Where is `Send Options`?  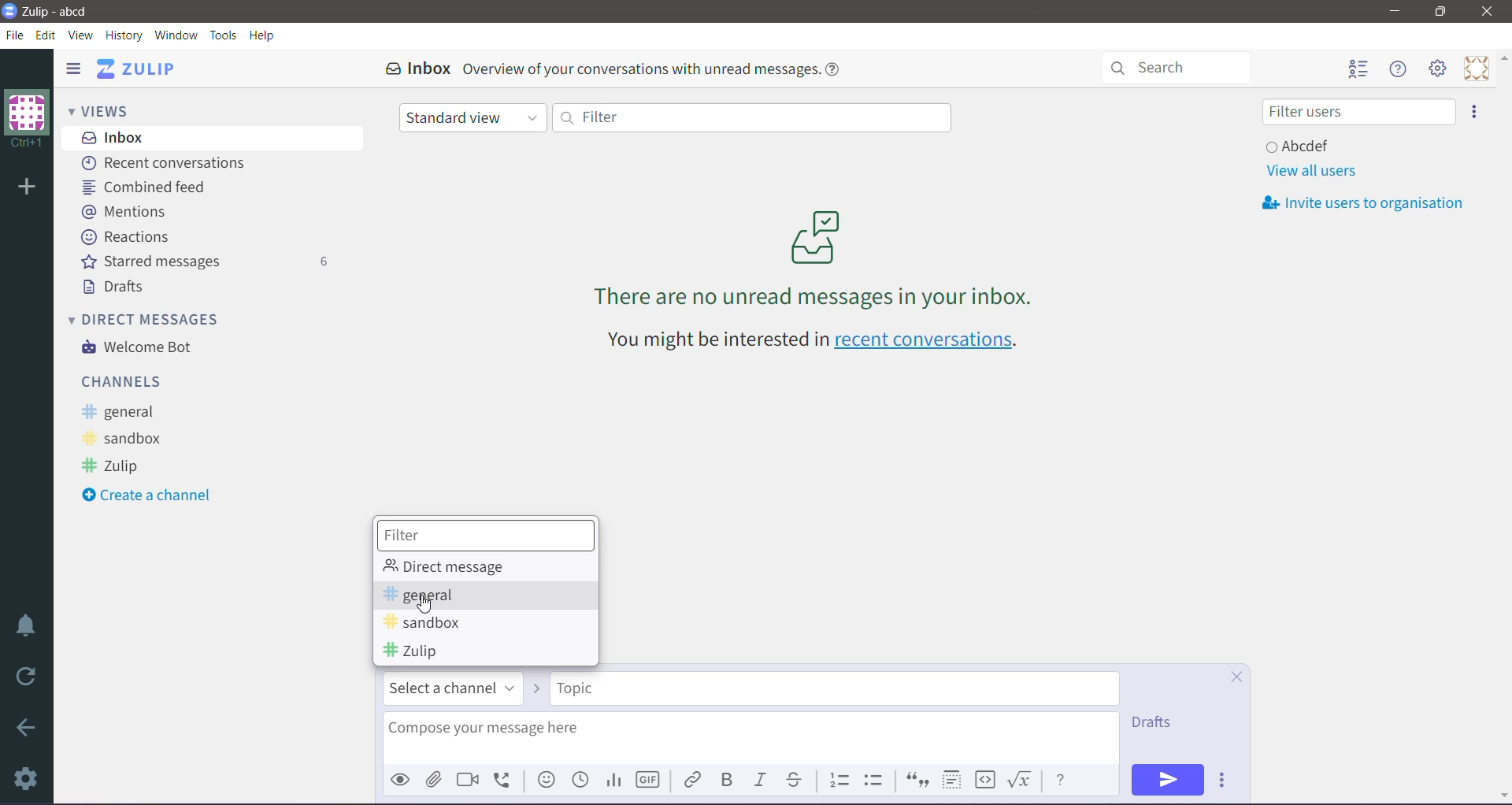 Send Options is located at coordinates (1225, 781).